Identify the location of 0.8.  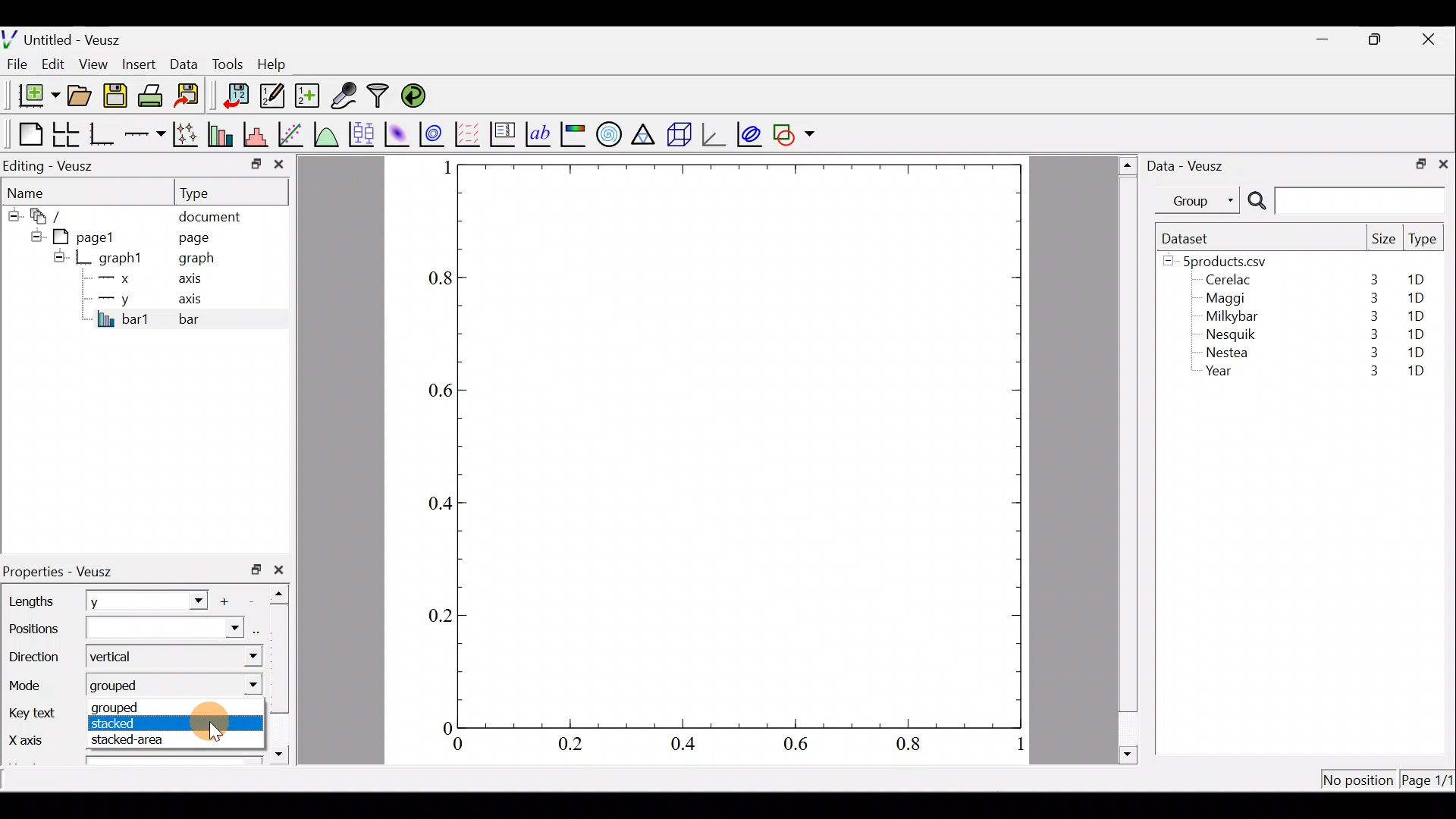
(438, 279).